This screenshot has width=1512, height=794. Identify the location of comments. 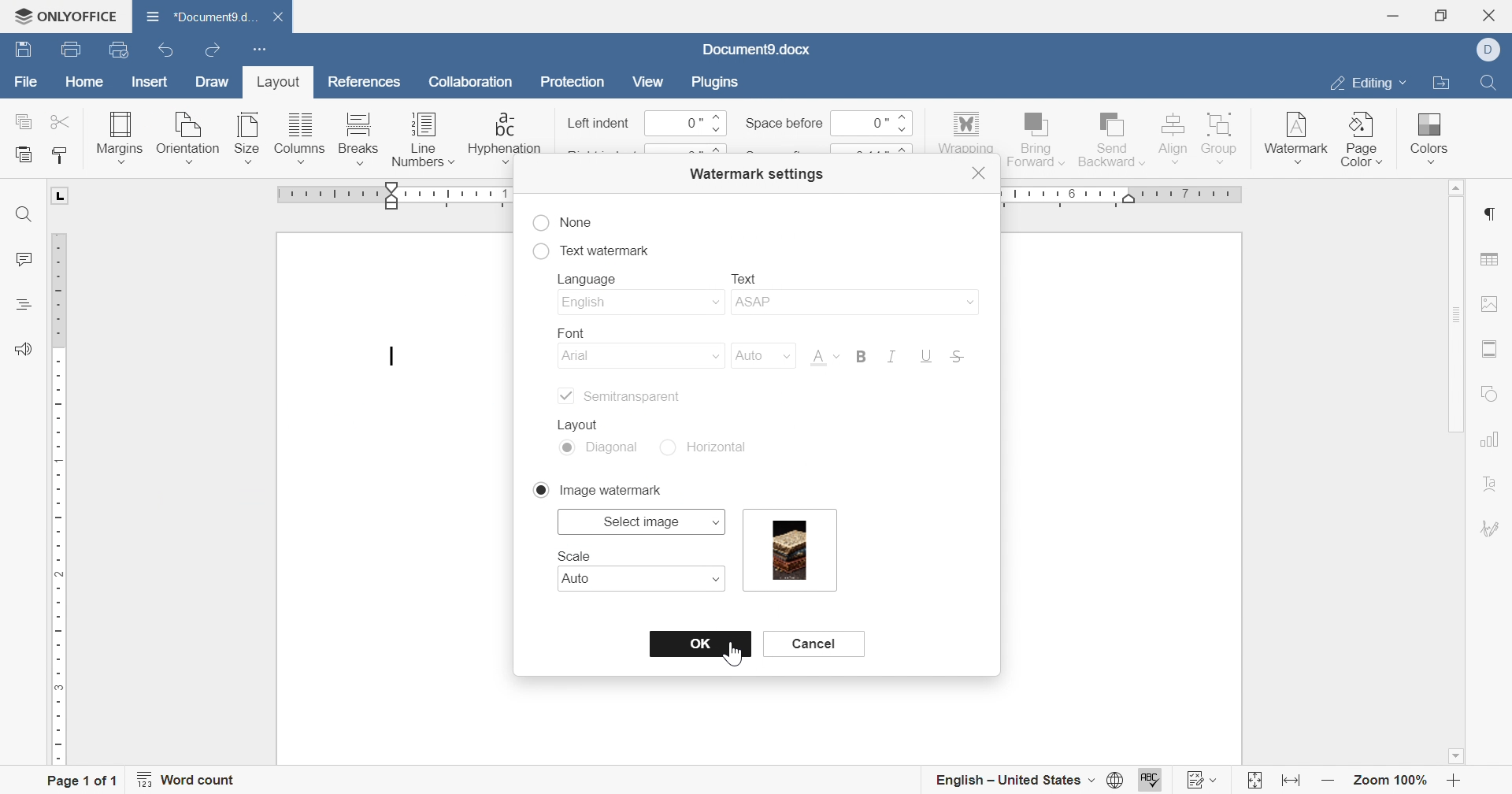
(21, 260).